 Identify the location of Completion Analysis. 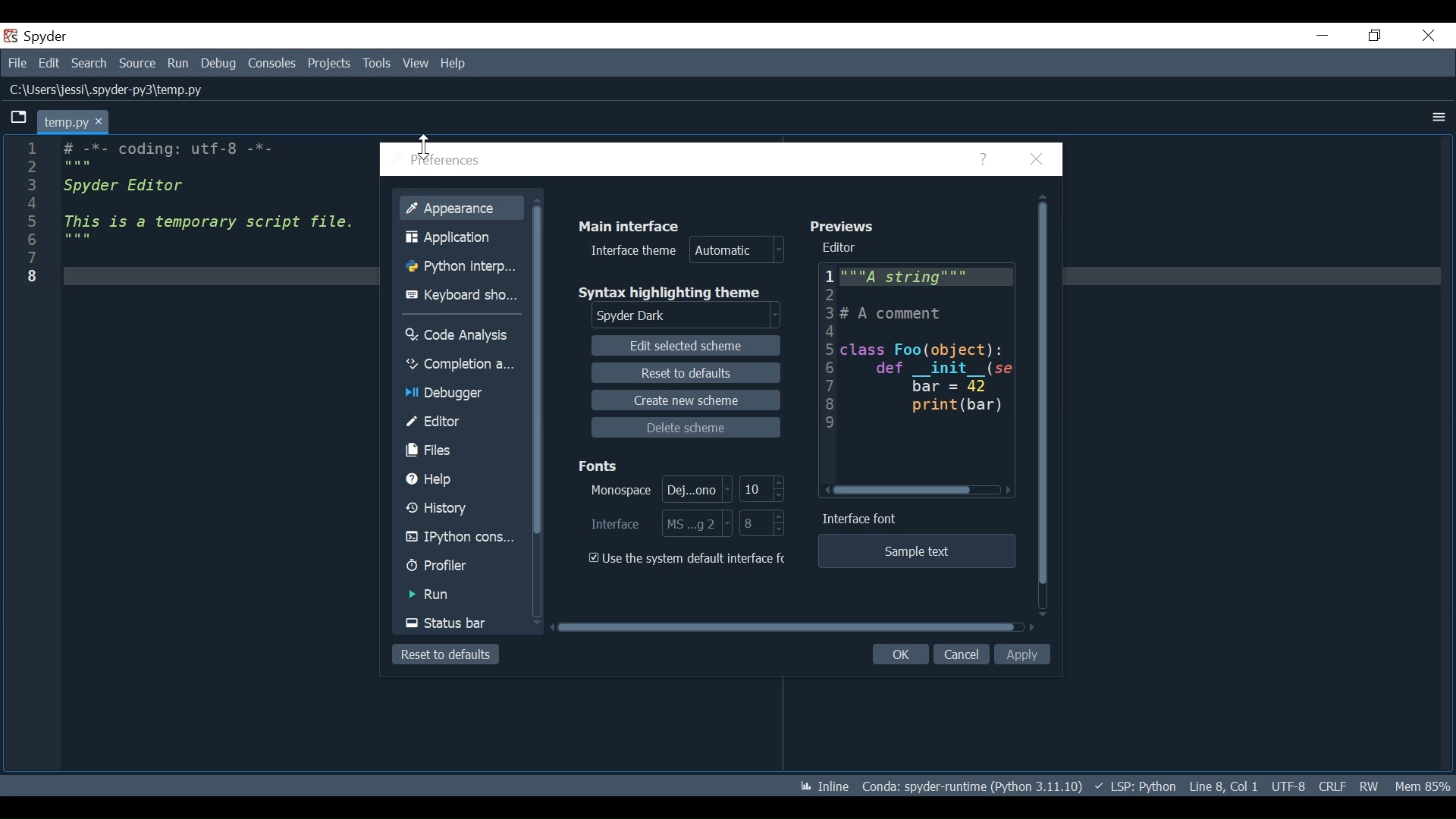
(460, 364).